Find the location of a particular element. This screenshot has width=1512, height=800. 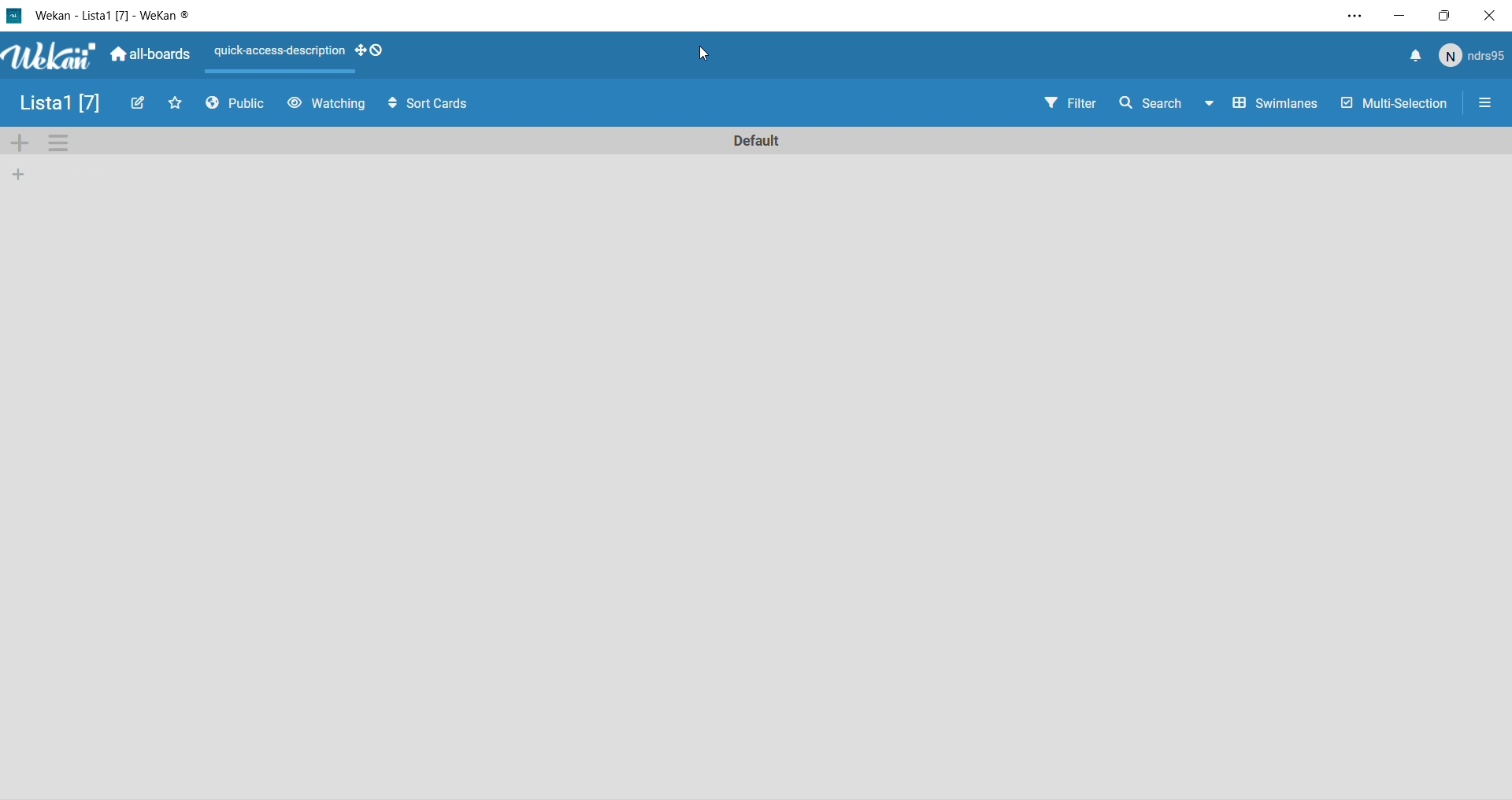

Search is located at coordinates (1148, 103).